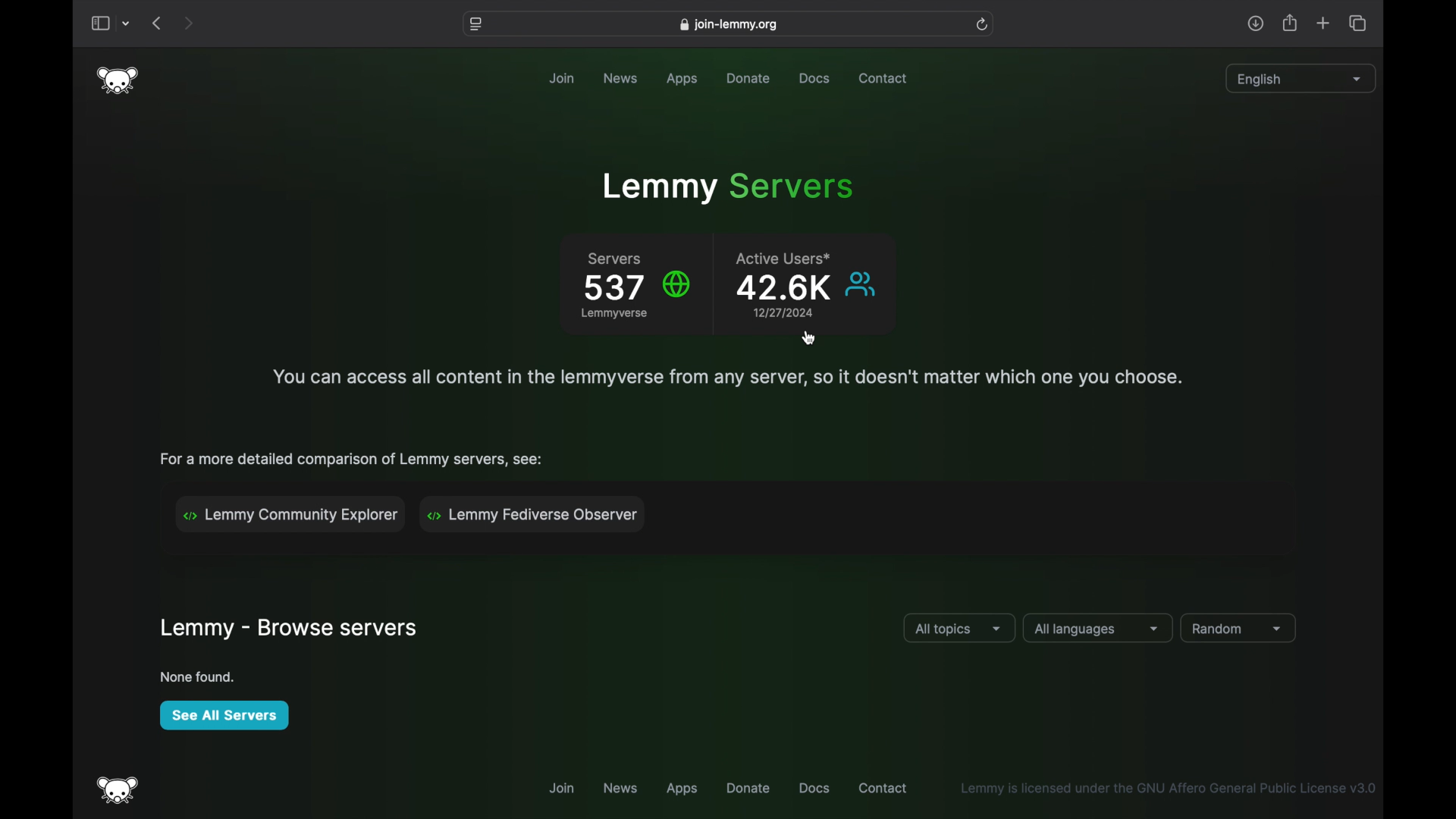  What do you see at coordinates (884, 788) in the screenshot?
I see `contact` at bounding box center [884, 788].